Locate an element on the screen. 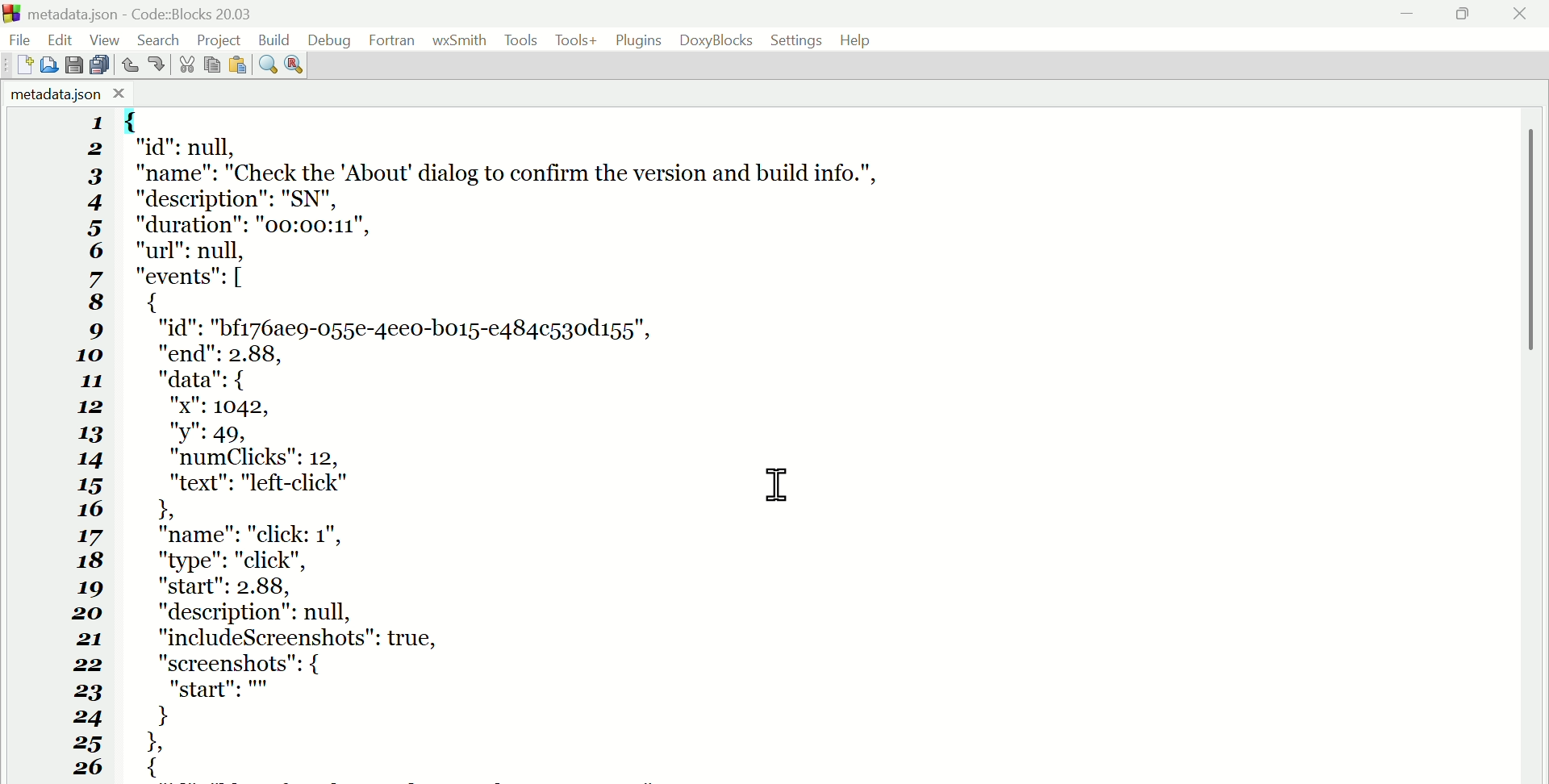 The image size is (1549, 784). cursor is located at coordinates (780, 486).